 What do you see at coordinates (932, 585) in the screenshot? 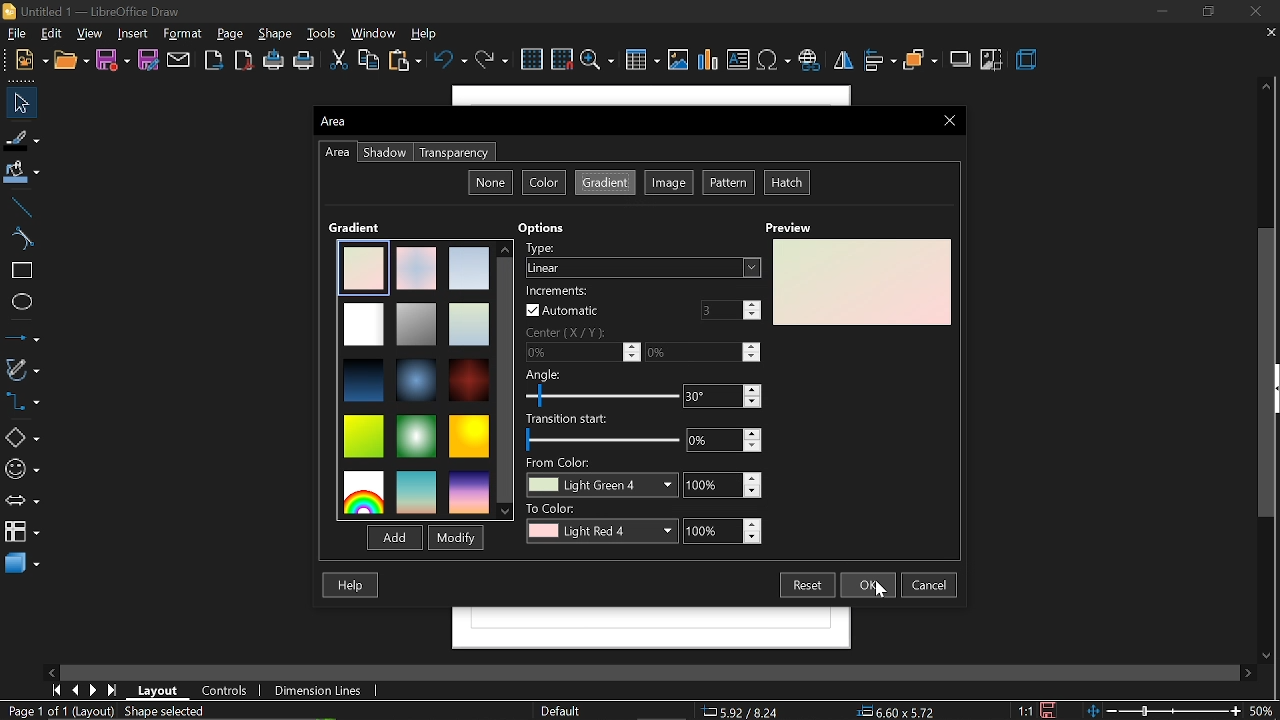
I see `cancel` at bounding box center [932, 585].